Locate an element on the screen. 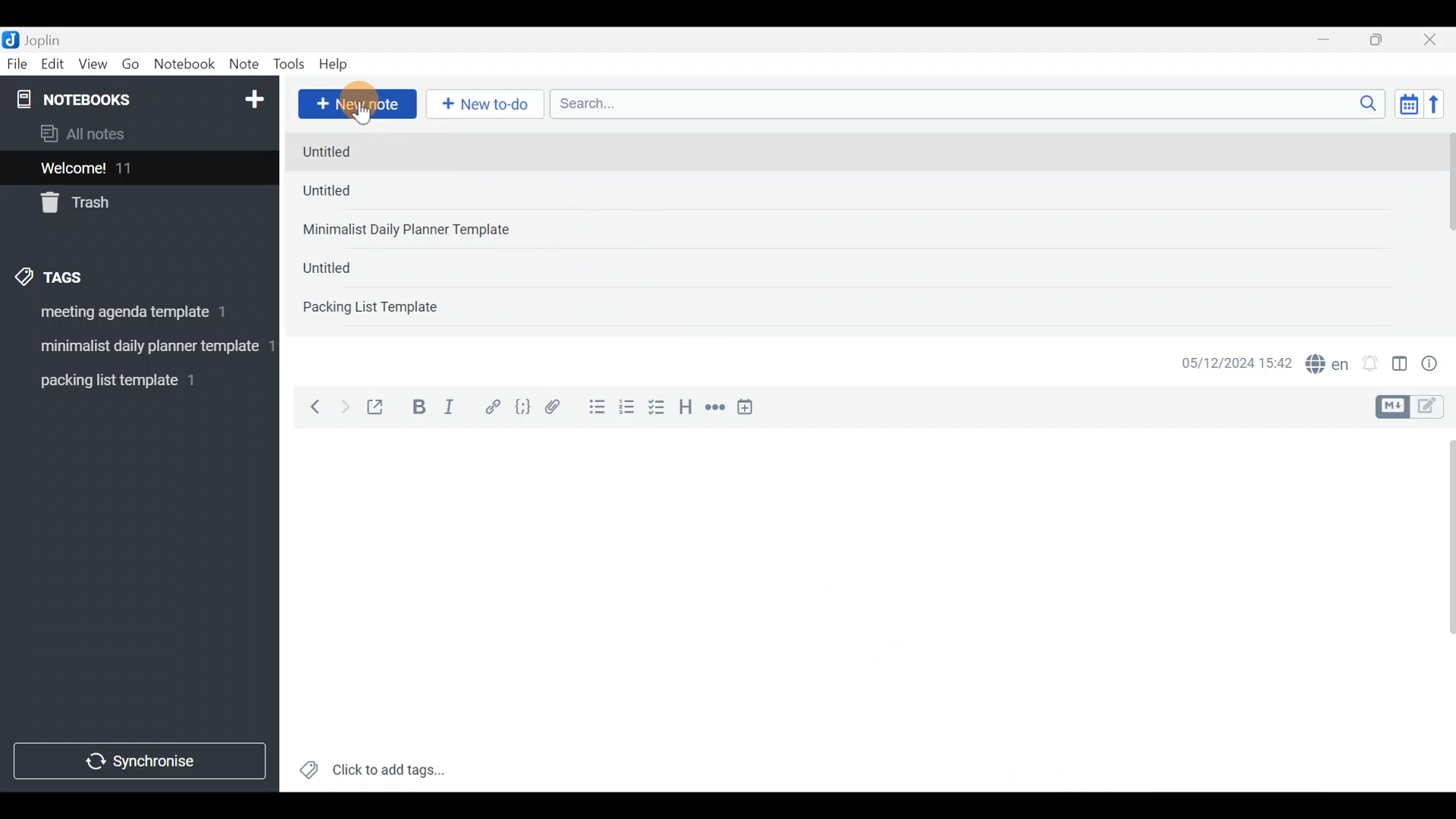  Tags is located at coordinates (85, 275).